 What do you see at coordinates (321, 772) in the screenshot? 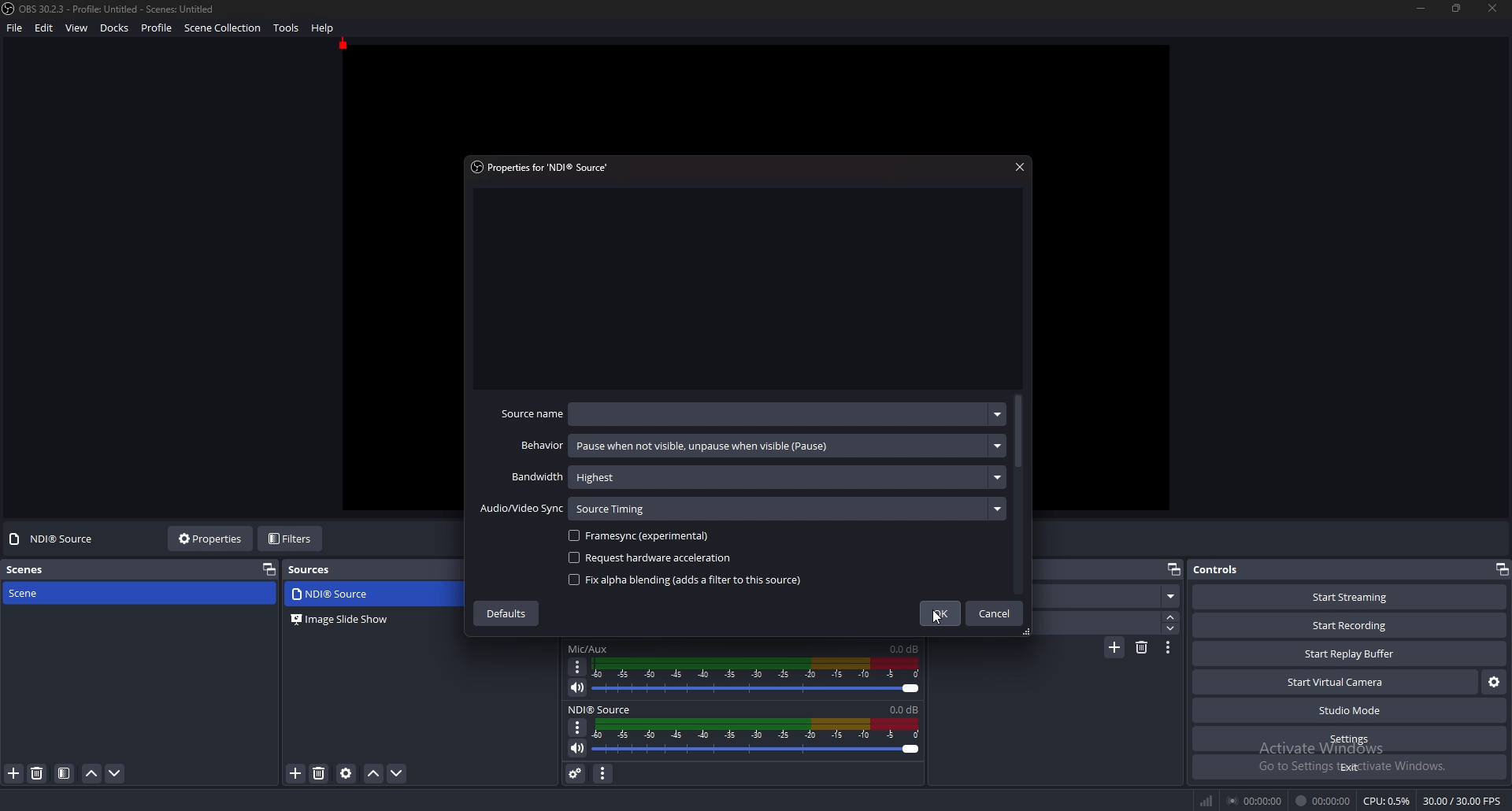
I see `remove source` at bounding box center [321, 772].